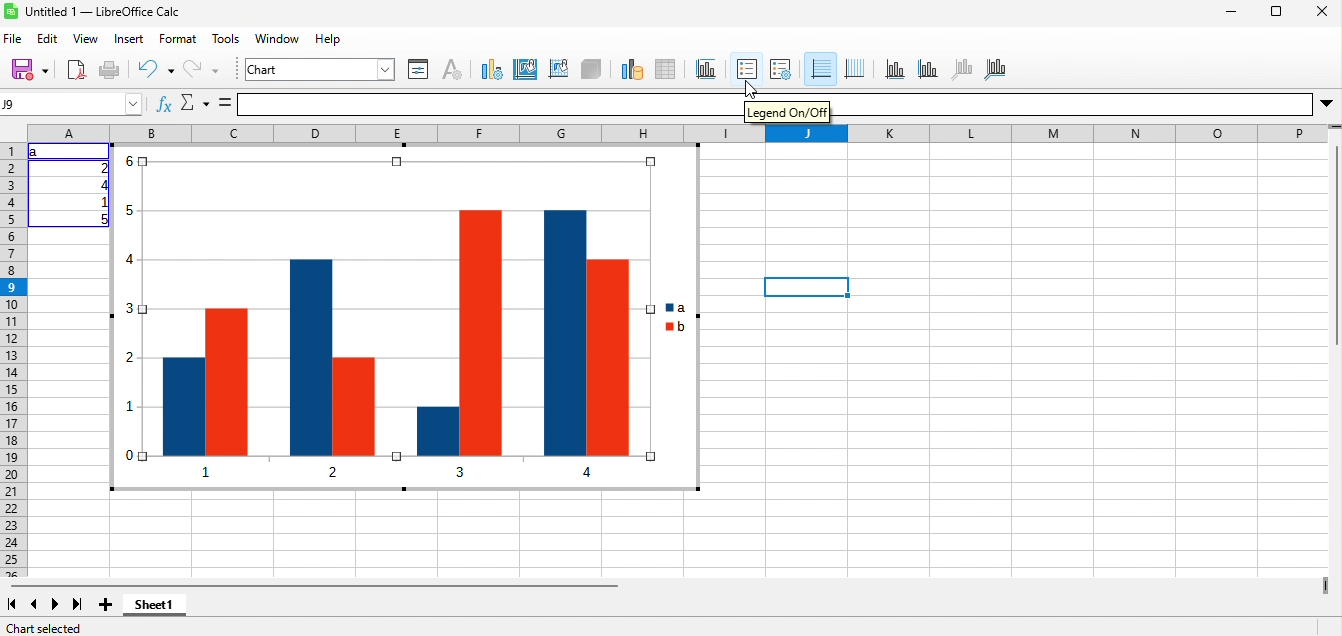 The height and width of the screenshot is (636, 1342). What do you see at coordinates (34, 605) in the screenshot?
I see `previous sheet` at bounding box center [34, 605].